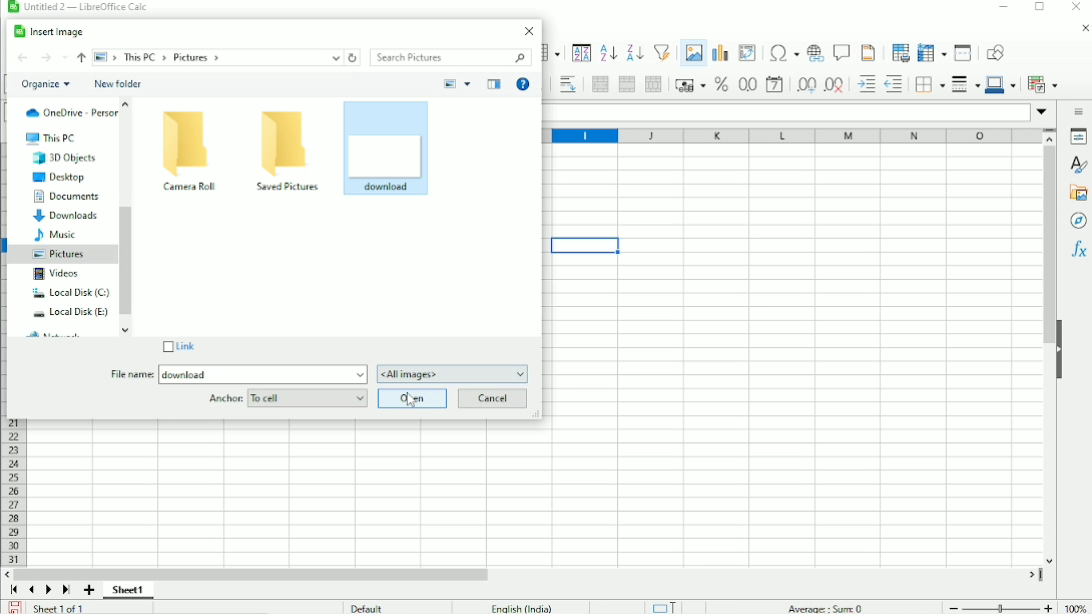 This screenshot has height=614, width=1092. Describe the element at coordinates (46, 58) in the screenshot. I see `Forward` at that location.